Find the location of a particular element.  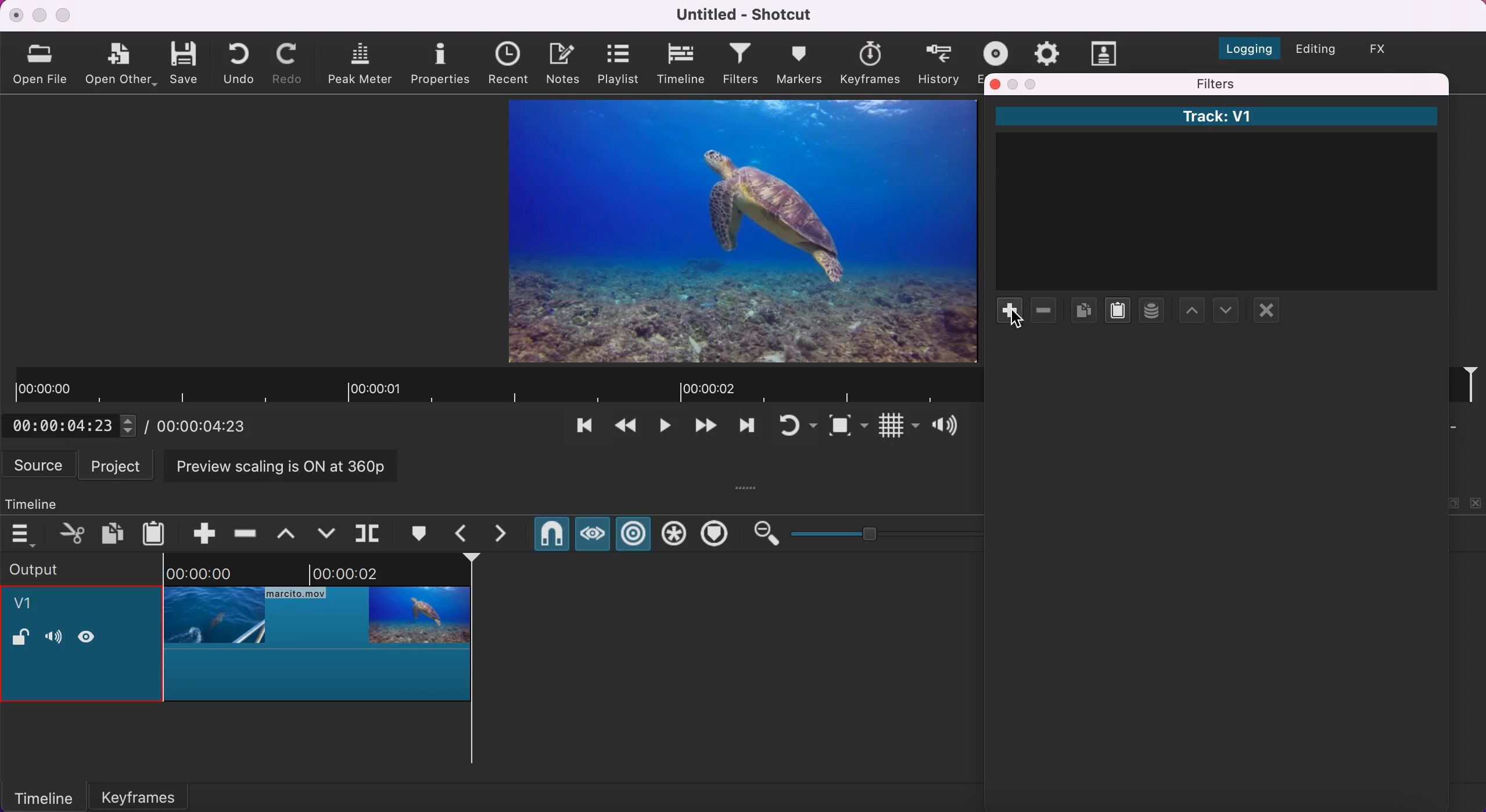

timeline is located at coordinates (683, 64).